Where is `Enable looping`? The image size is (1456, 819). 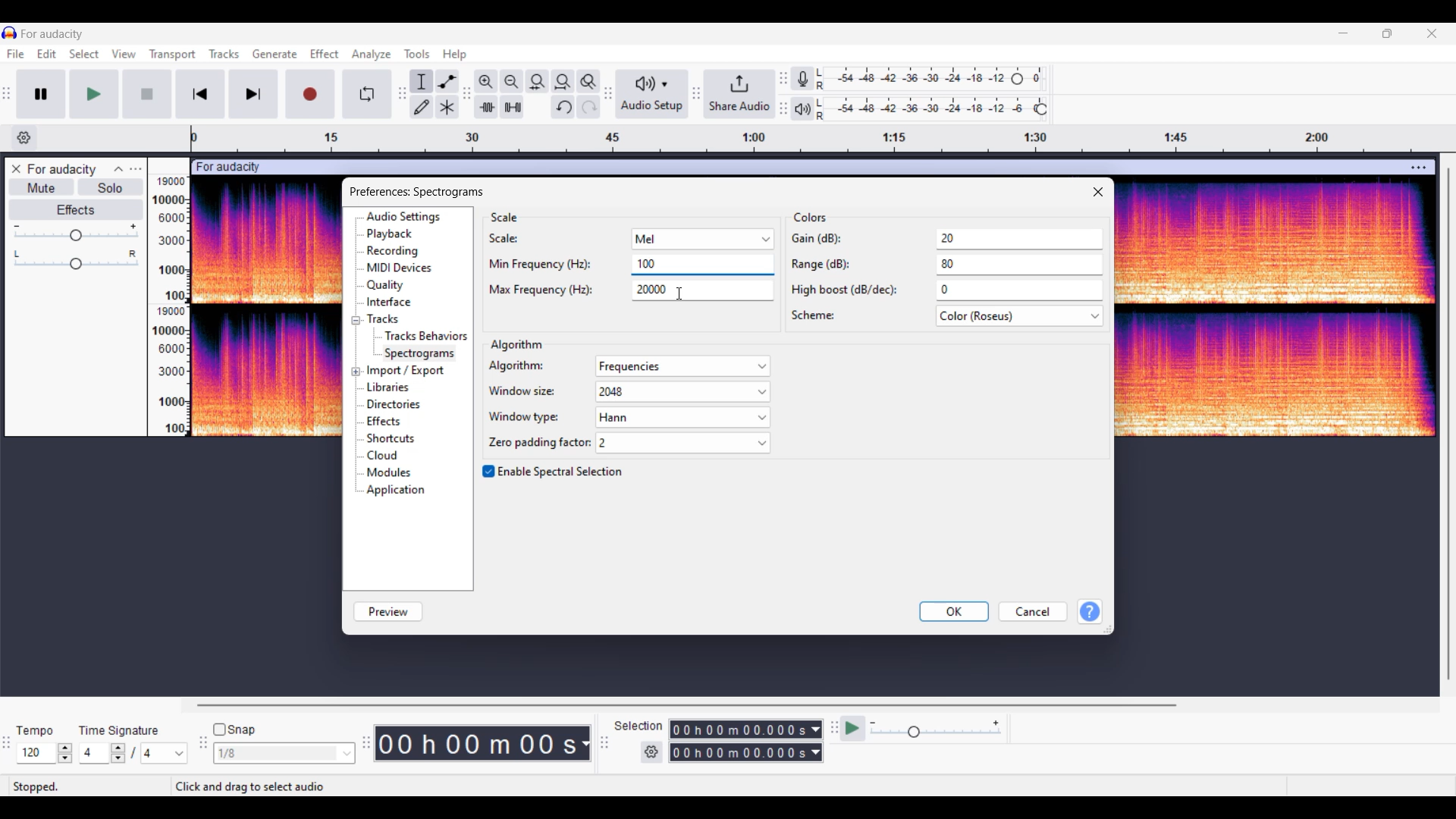 Enable looping is located at coordinates (367, 94).